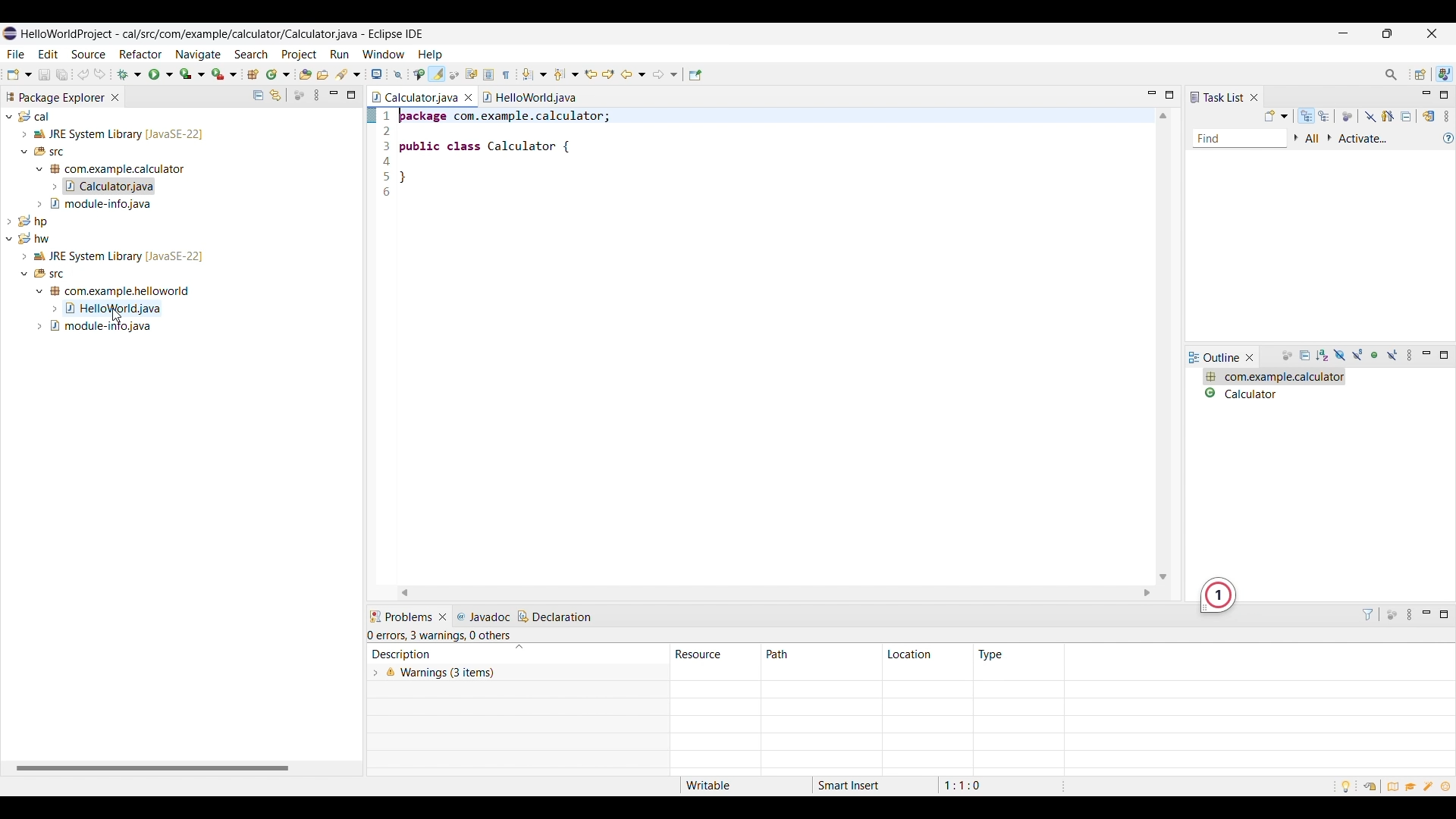  I want to click on Hide static fields and methods, so click(1358, 356).